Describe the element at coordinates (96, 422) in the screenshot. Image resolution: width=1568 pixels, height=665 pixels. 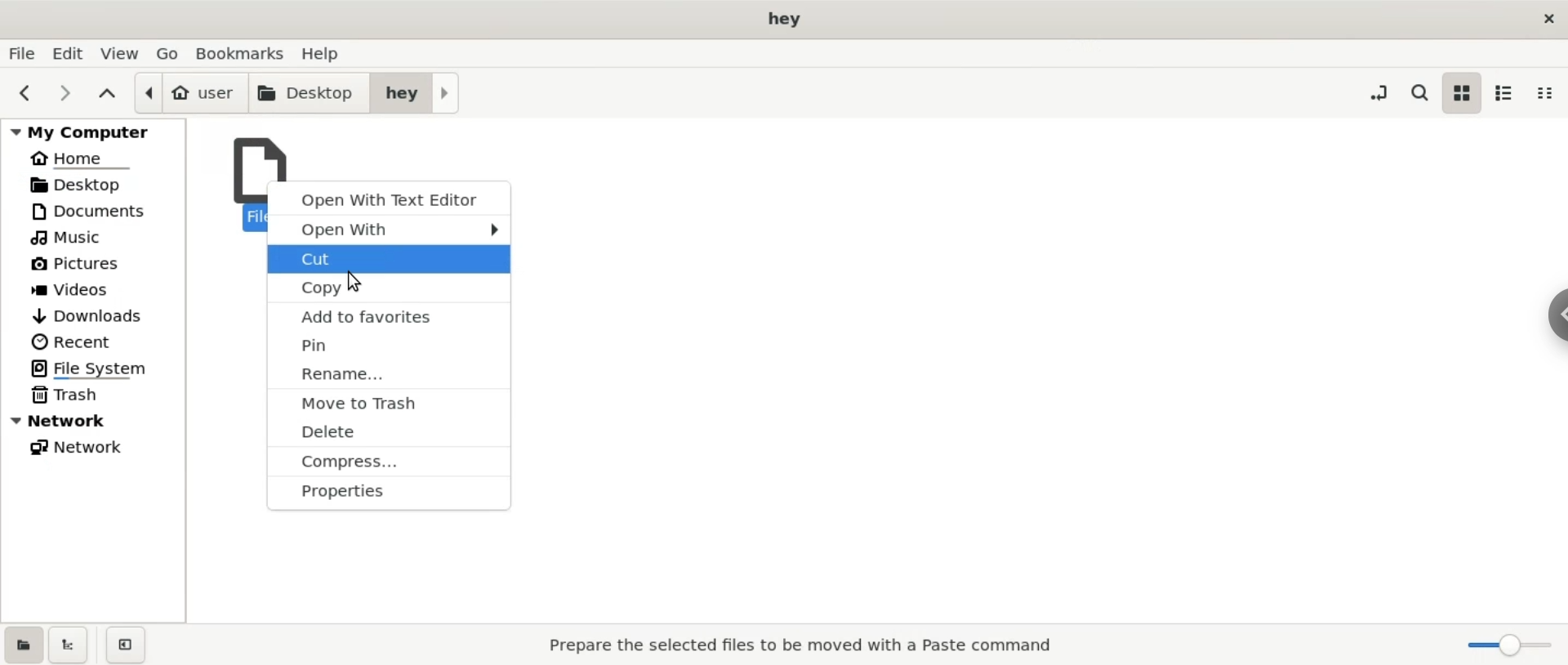
I see `network` at that location.